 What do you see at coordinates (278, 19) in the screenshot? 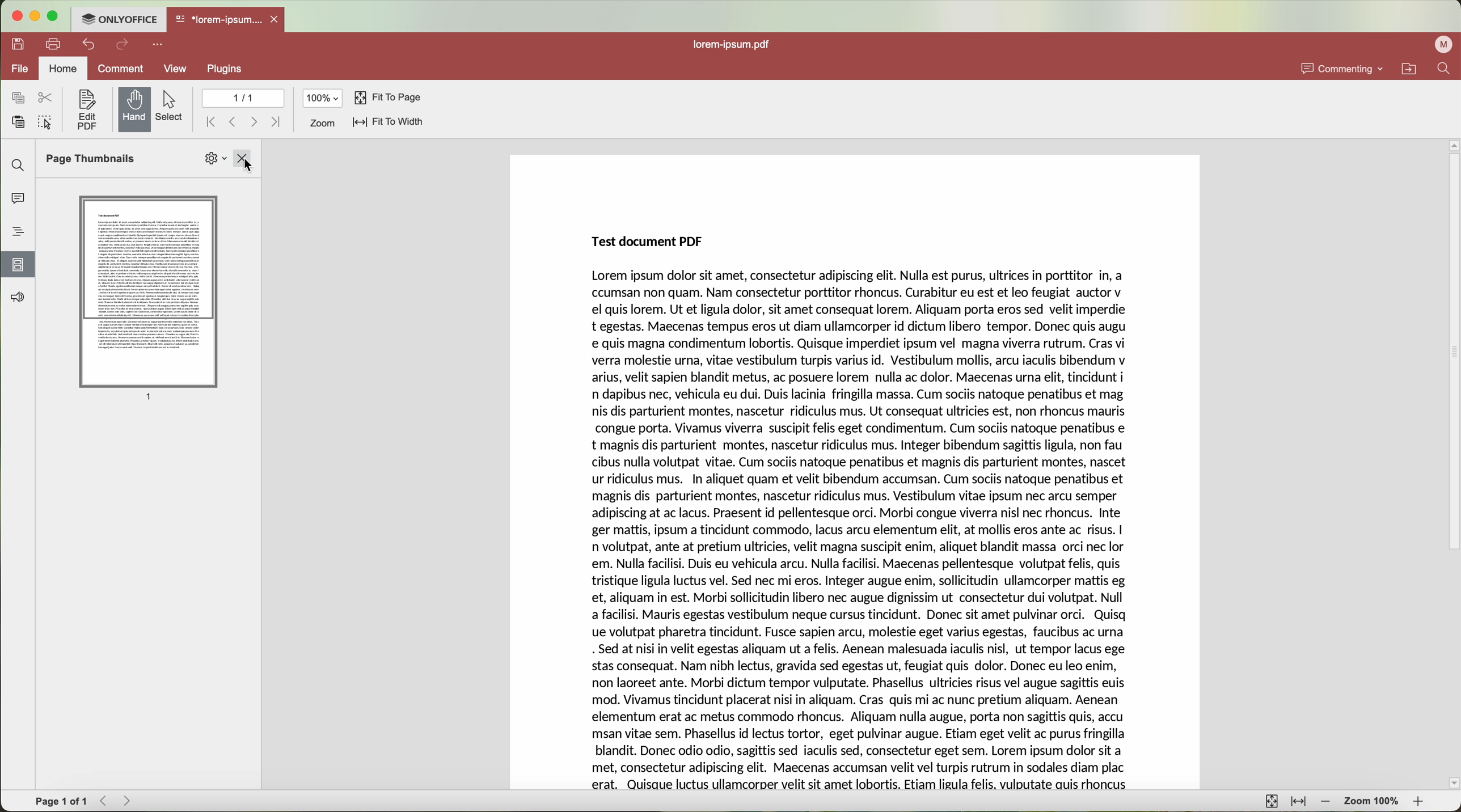
I see `close` at bounding box center [278, 19].